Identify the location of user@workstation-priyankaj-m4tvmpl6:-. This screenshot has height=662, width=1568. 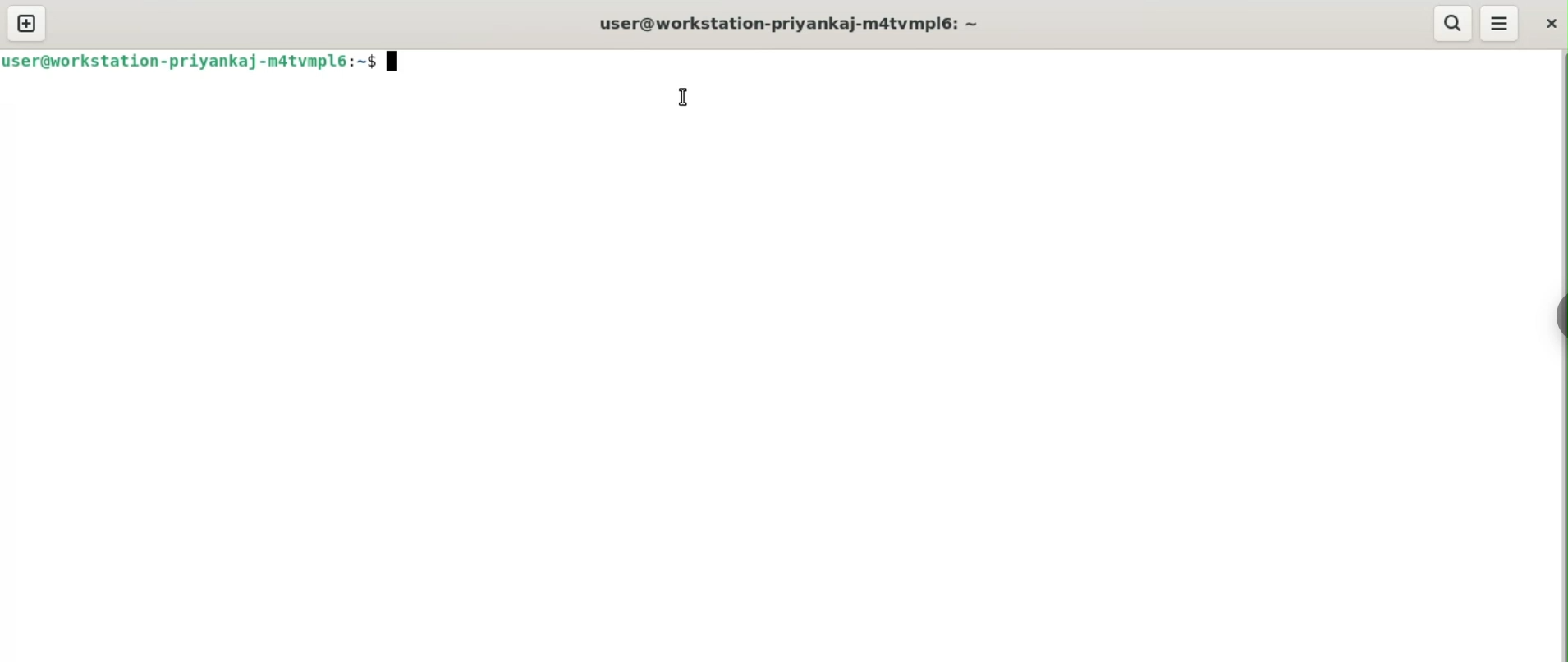
(789, 24).